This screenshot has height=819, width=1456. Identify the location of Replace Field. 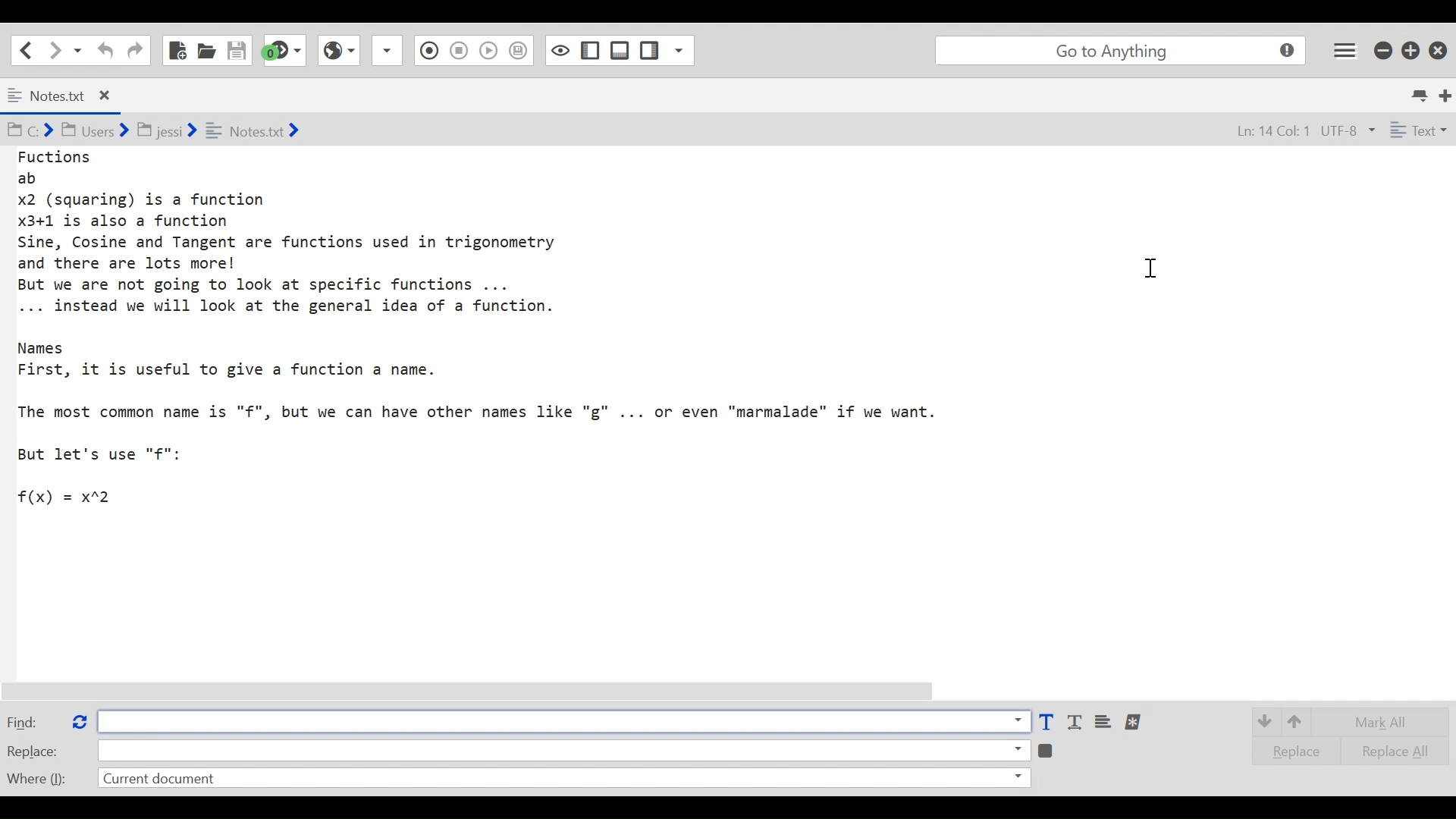
(563, 749).